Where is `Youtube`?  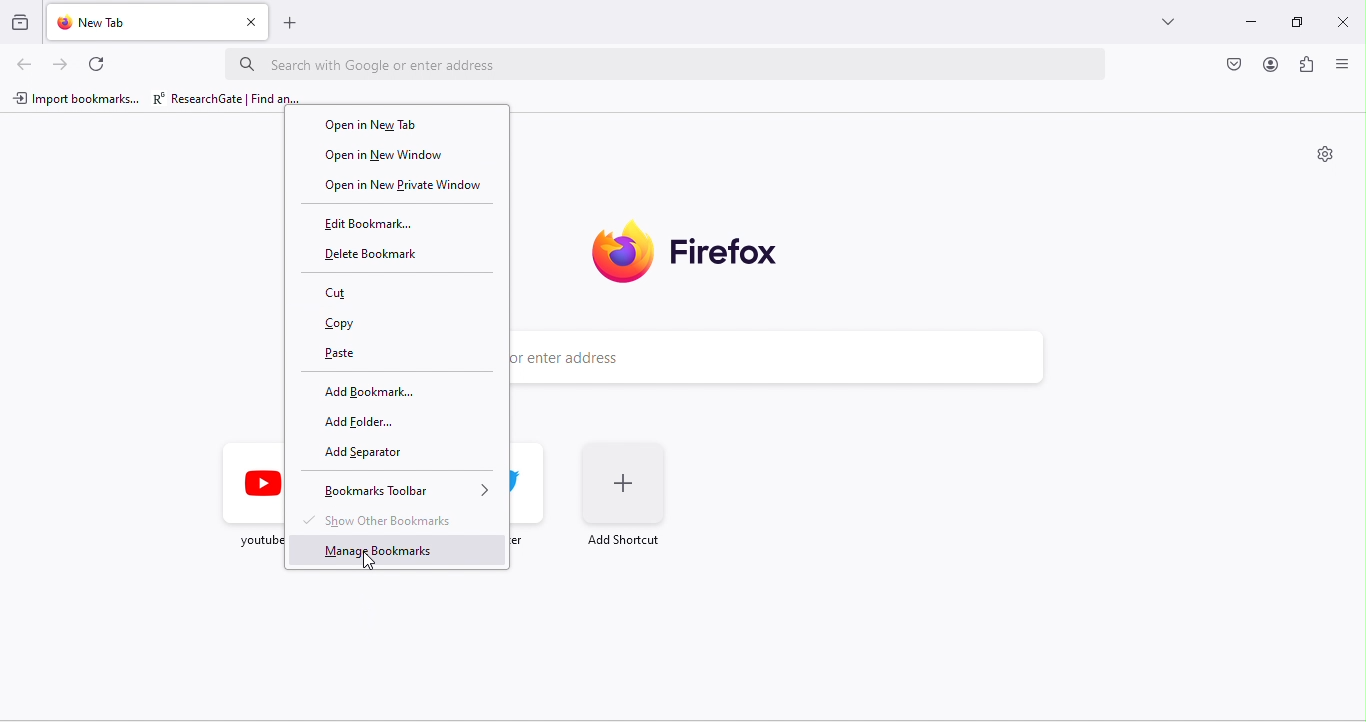 Youtube is located at coordinates (248, 500).